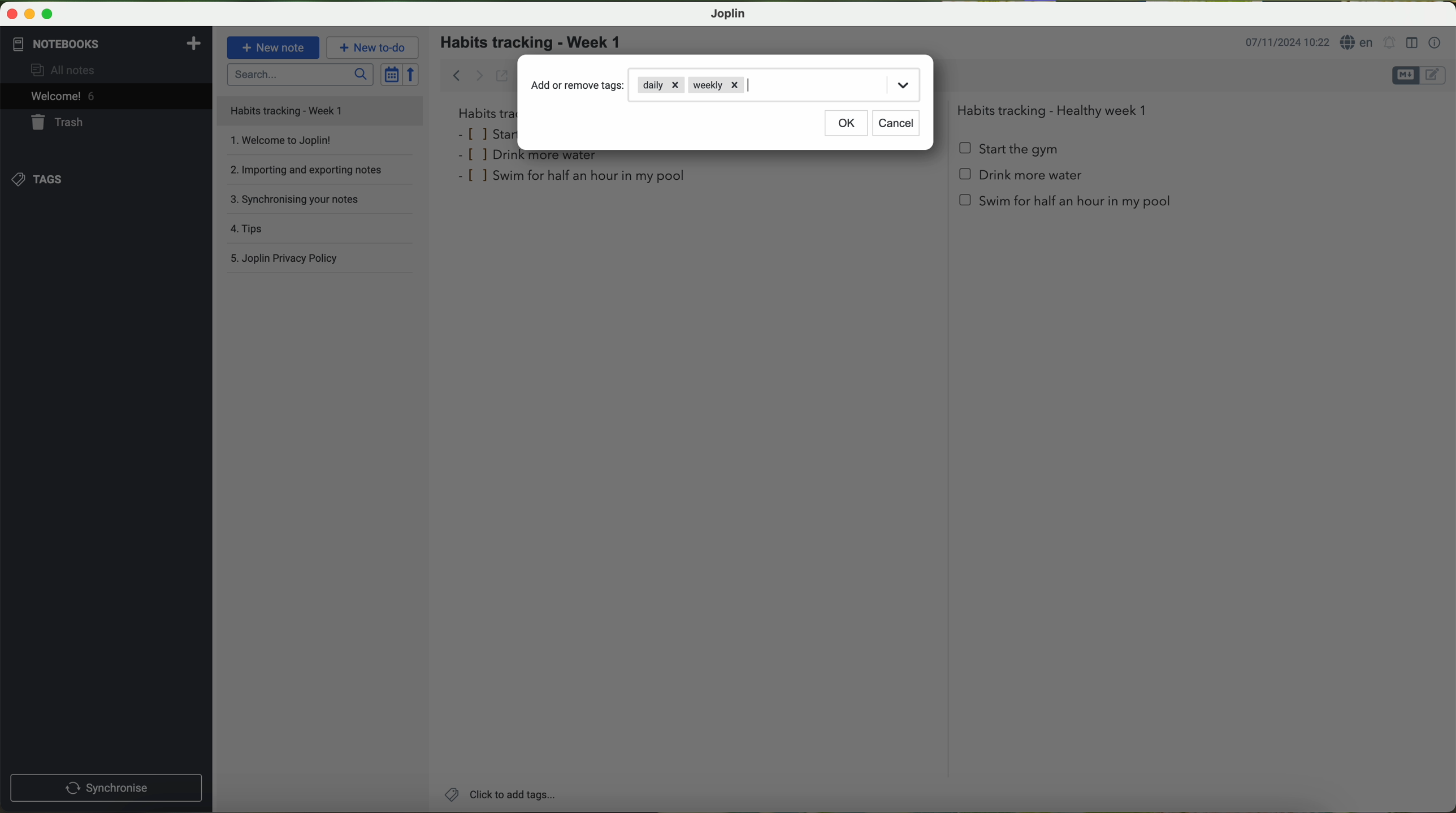  I want to click on forward, so click(479, 75).